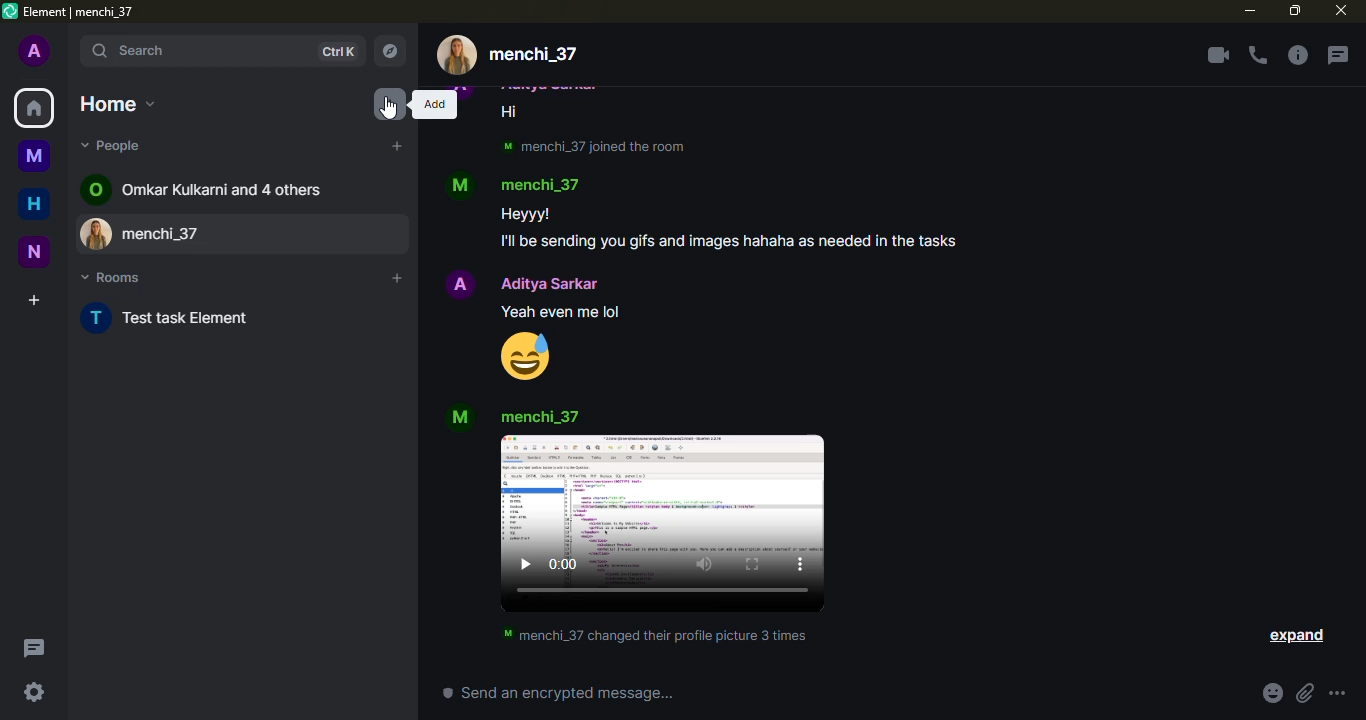  Describe the element at coordinates (98, 233) in the screenshot. I see `Profile image` at that location.